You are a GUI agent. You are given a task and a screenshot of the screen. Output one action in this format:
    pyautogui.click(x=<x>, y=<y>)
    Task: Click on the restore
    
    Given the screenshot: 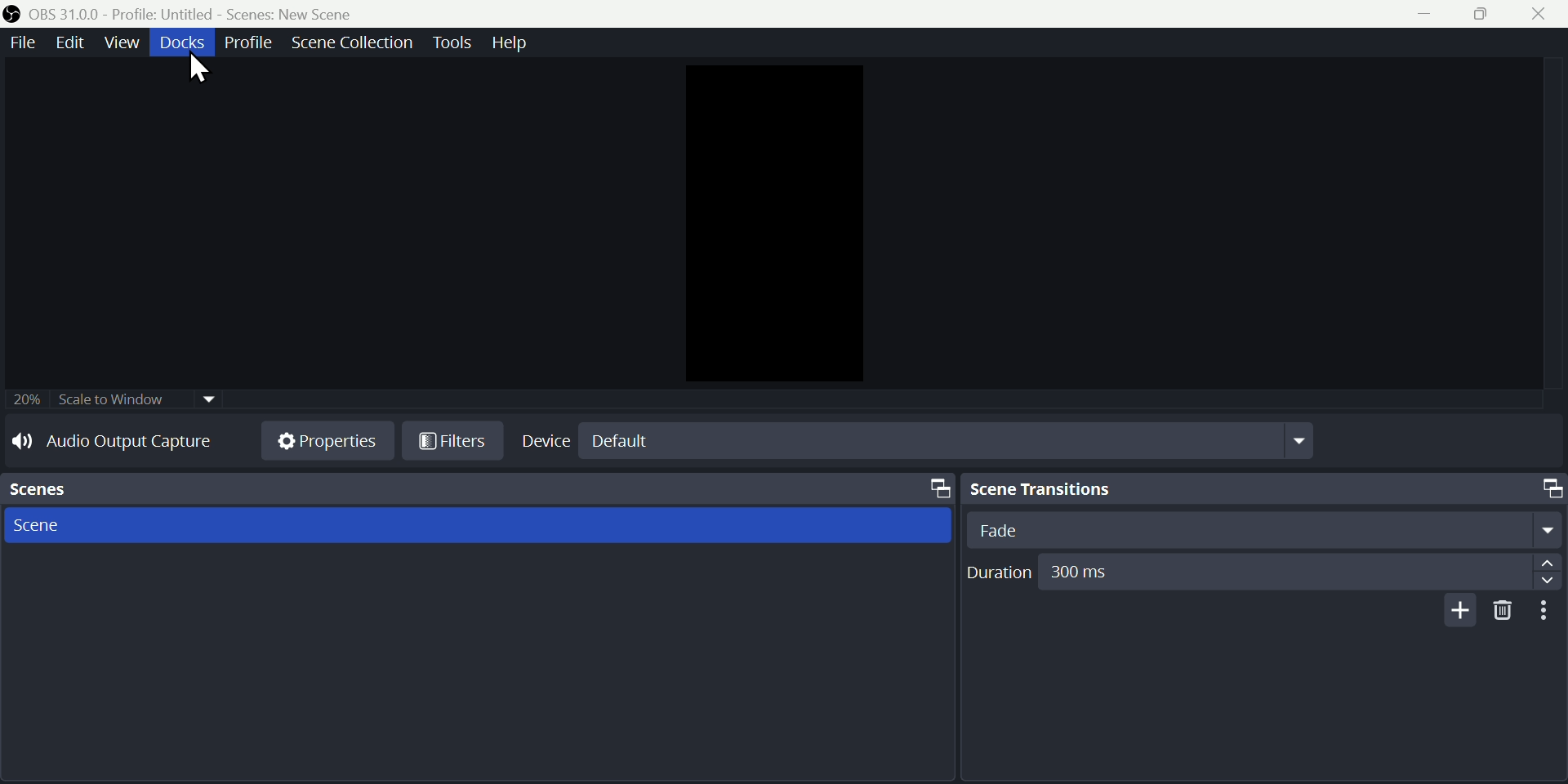 What is the action you would take?
    pyautogui.click(x=1479, y=16)
    